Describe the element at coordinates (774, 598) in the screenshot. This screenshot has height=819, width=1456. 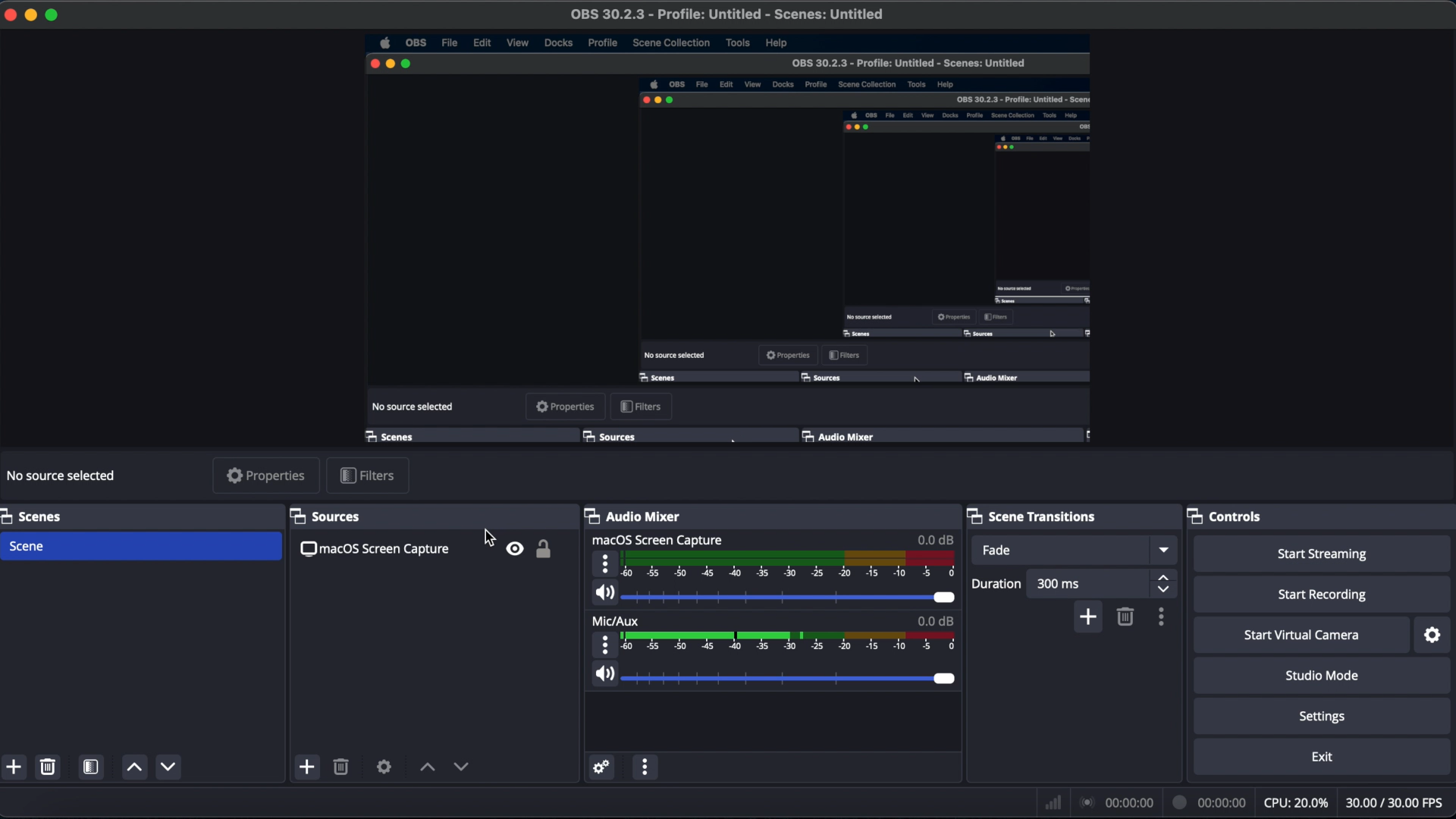
I see `audio slider` at that location.